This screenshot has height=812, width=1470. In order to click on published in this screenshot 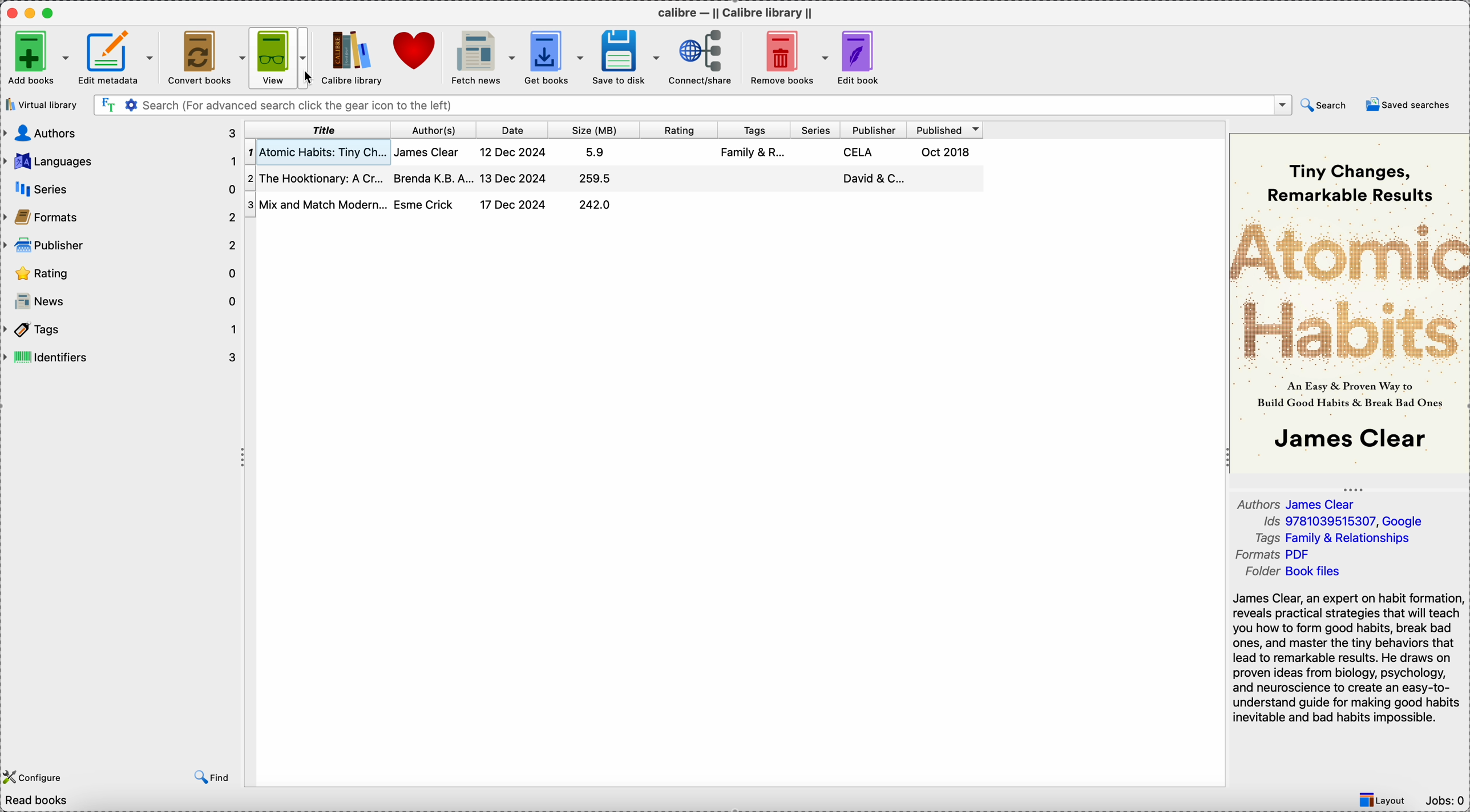, I will do `click(946, 128)`.